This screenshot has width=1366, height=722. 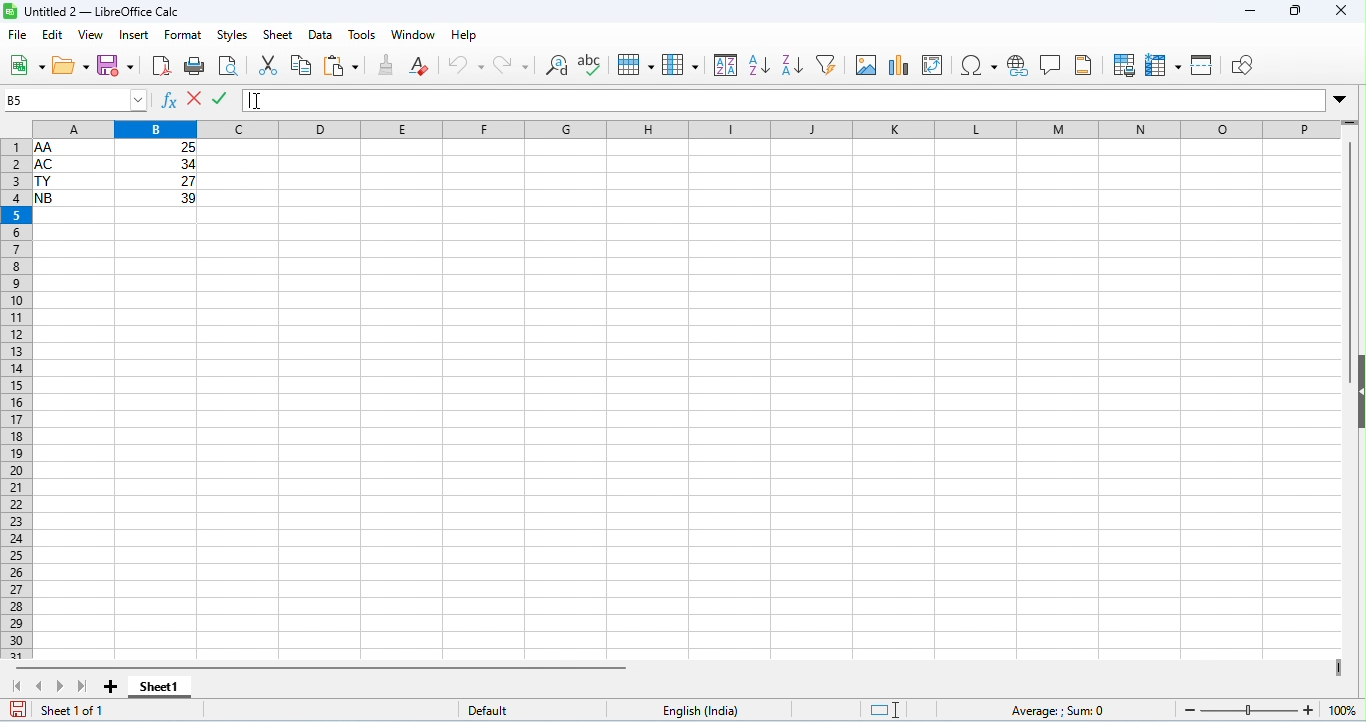 What do you see at coordinates (230, 67) in the screenshot?
I see `print preview` at bounding box center [230, 67].